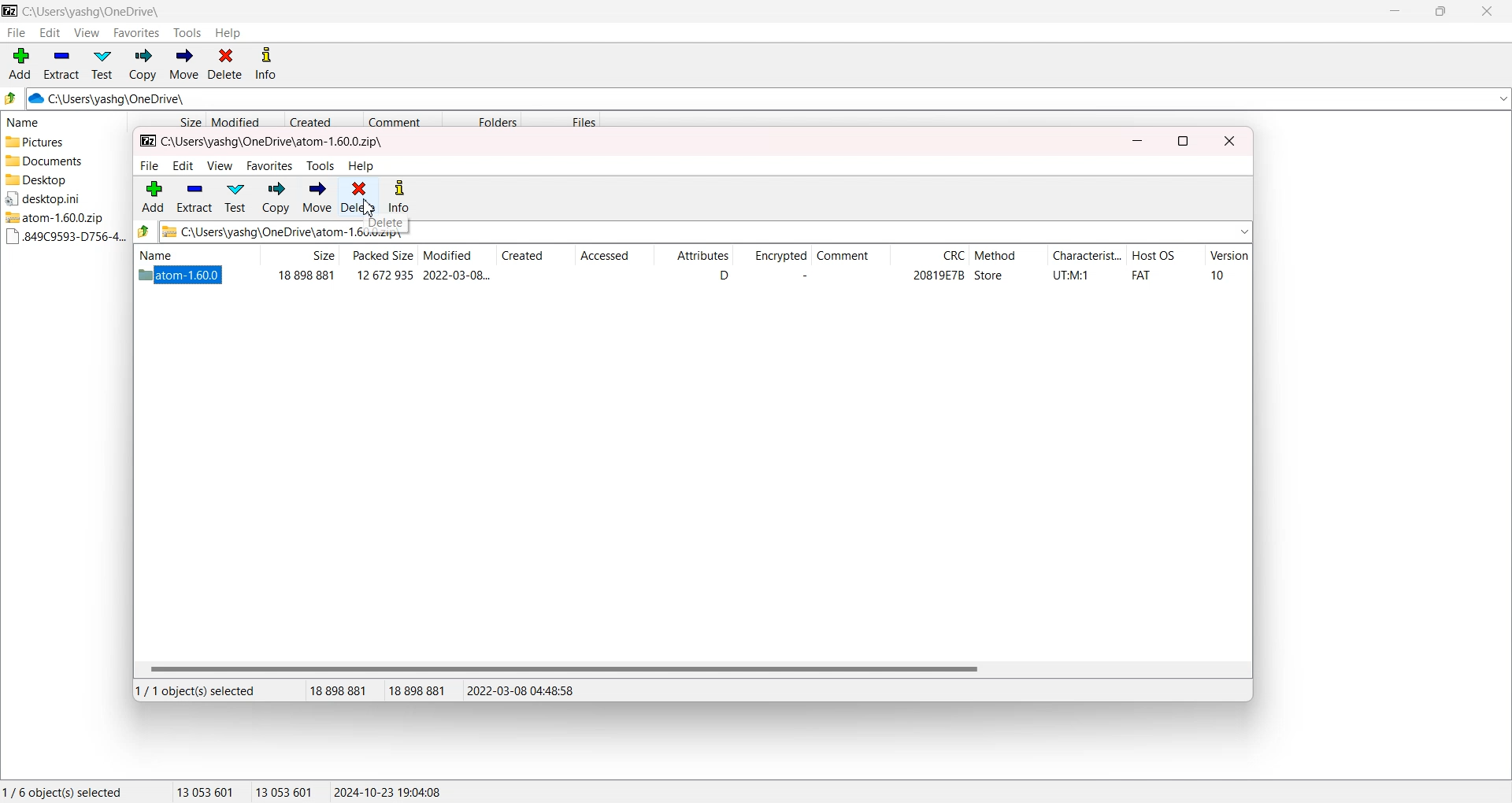 This screenshot has width=1512, height=803. I want to click on Test, so click(102, 65).